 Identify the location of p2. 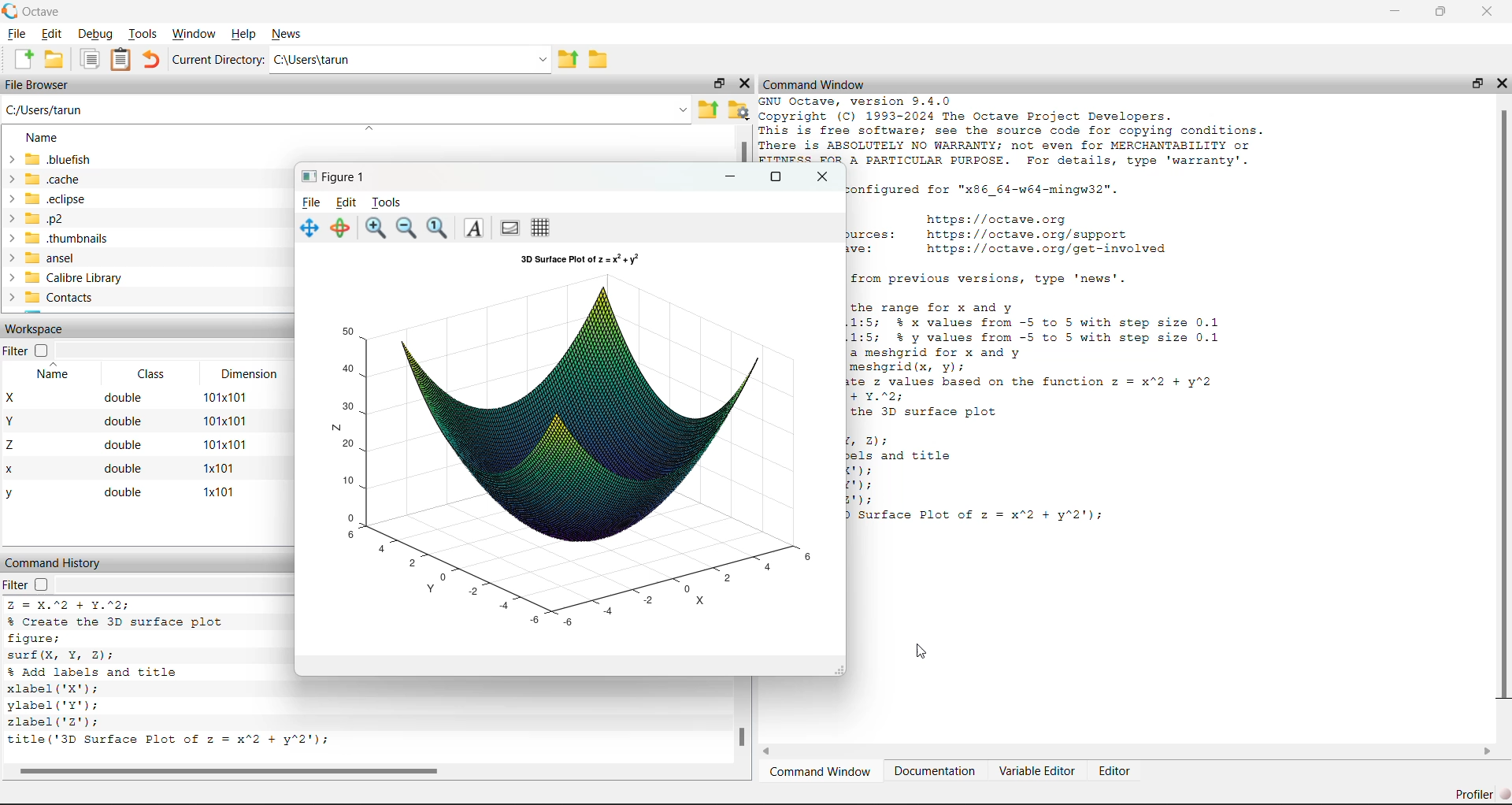
(35, 218).